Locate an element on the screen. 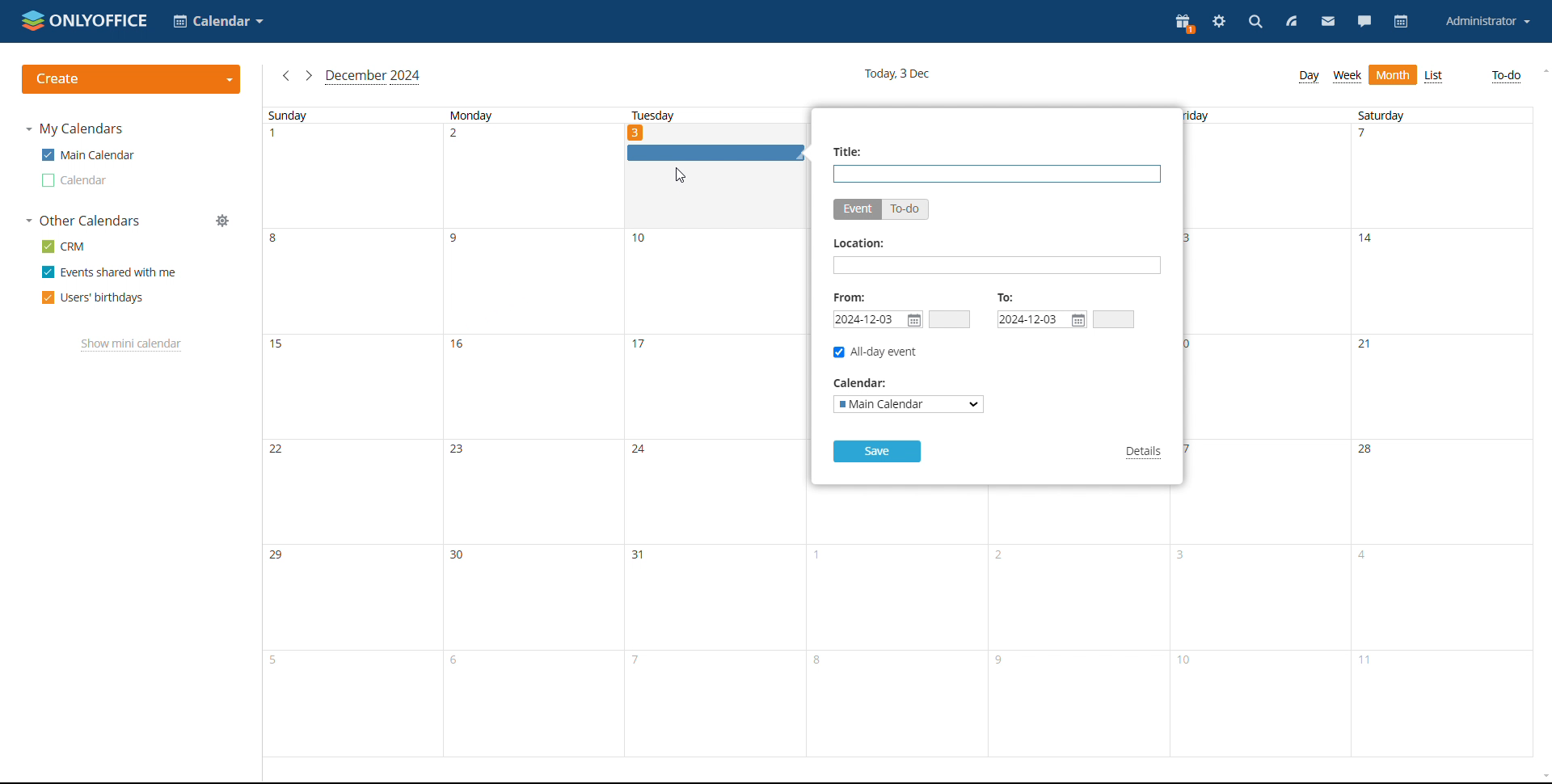 The height and width of the screenshot is (784, 1552). present is located at coordinates (1183, 23).